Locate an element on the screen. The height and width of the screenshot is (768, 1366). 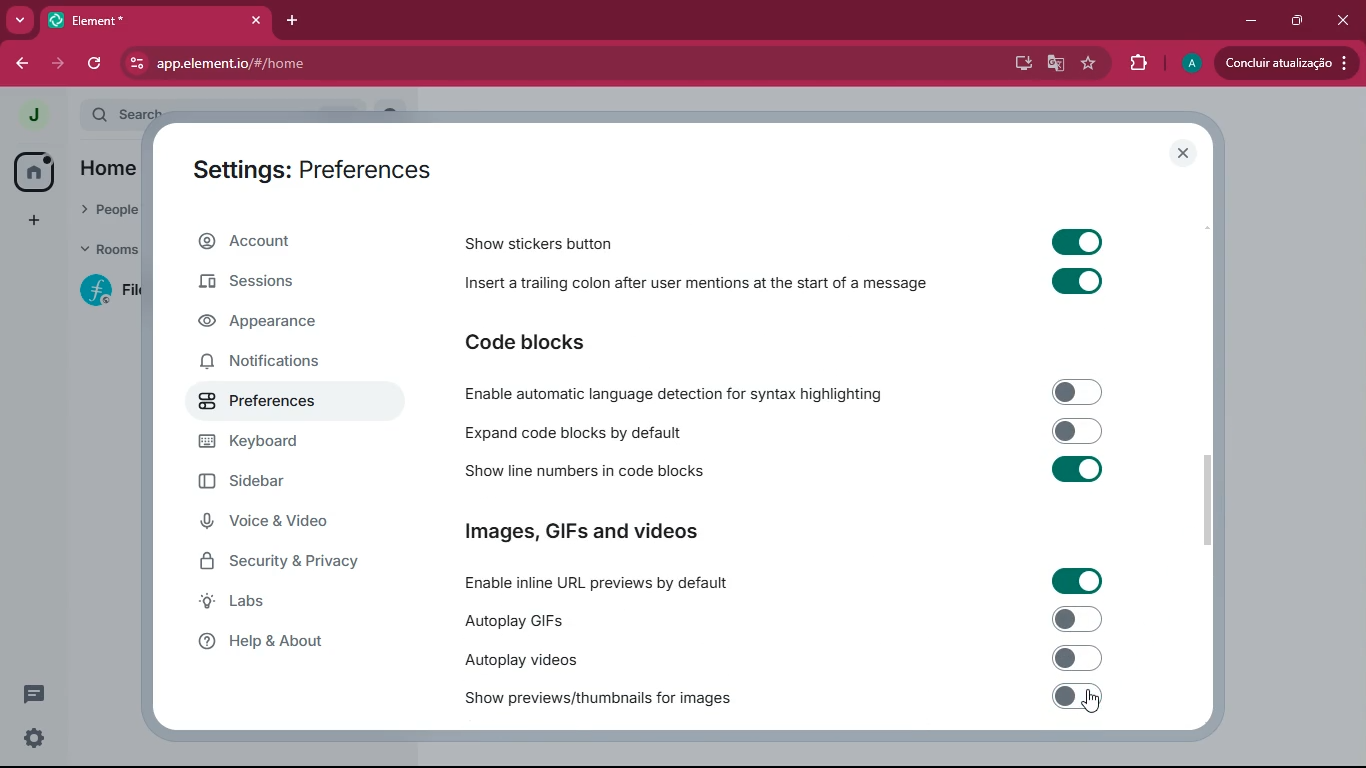
app.element.io/#/home is located at coordinates (406, 65).